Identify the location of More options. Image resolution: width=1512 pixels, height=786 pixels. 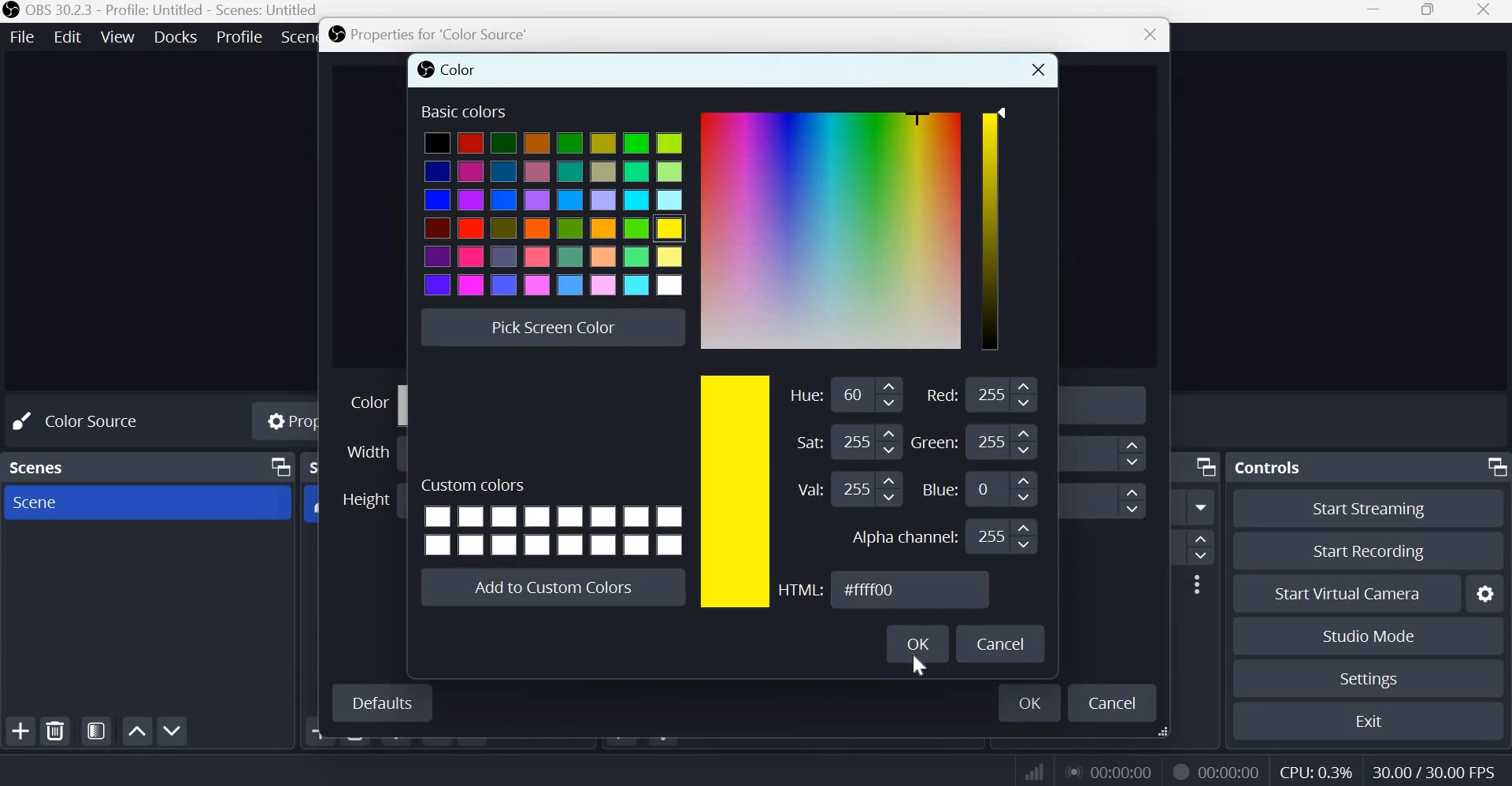
(1197, 584).